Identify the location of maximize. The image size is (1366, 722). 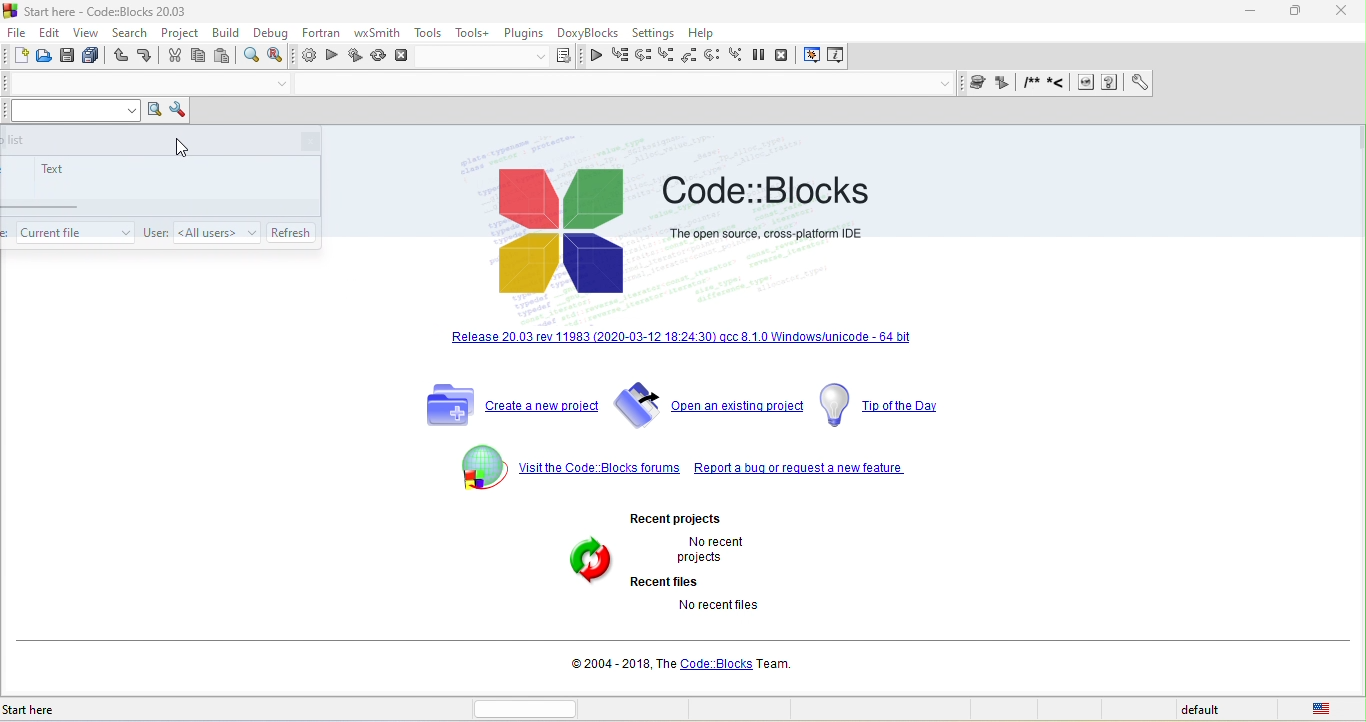
(1297, 14).